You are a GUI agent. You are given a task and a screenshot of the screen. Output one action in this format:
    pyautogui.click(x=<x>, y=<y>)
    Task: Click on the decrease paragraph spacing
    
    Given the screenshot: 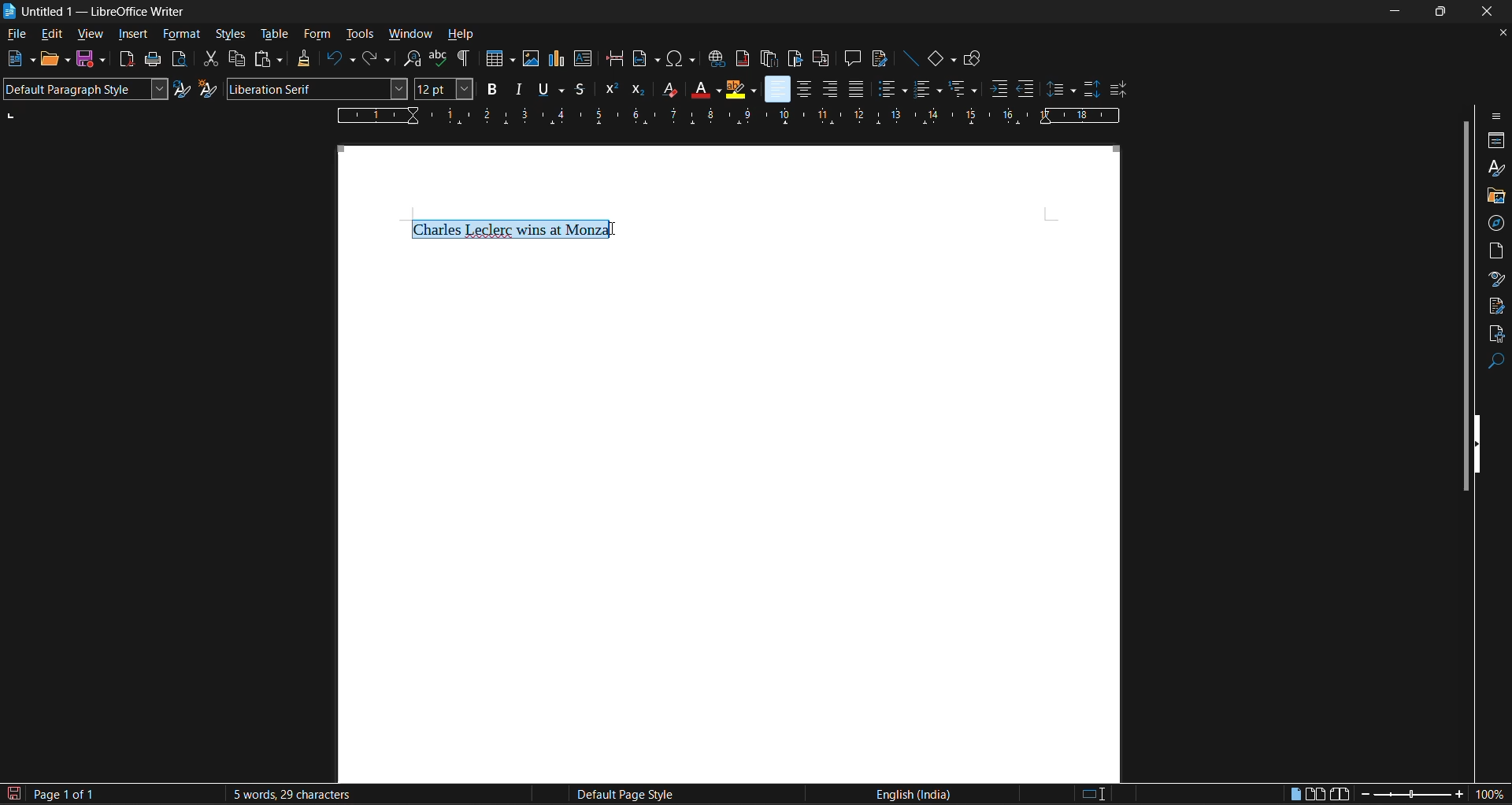 What is the action you would take?
    pyautogui.click(x=1118, y=91)
    